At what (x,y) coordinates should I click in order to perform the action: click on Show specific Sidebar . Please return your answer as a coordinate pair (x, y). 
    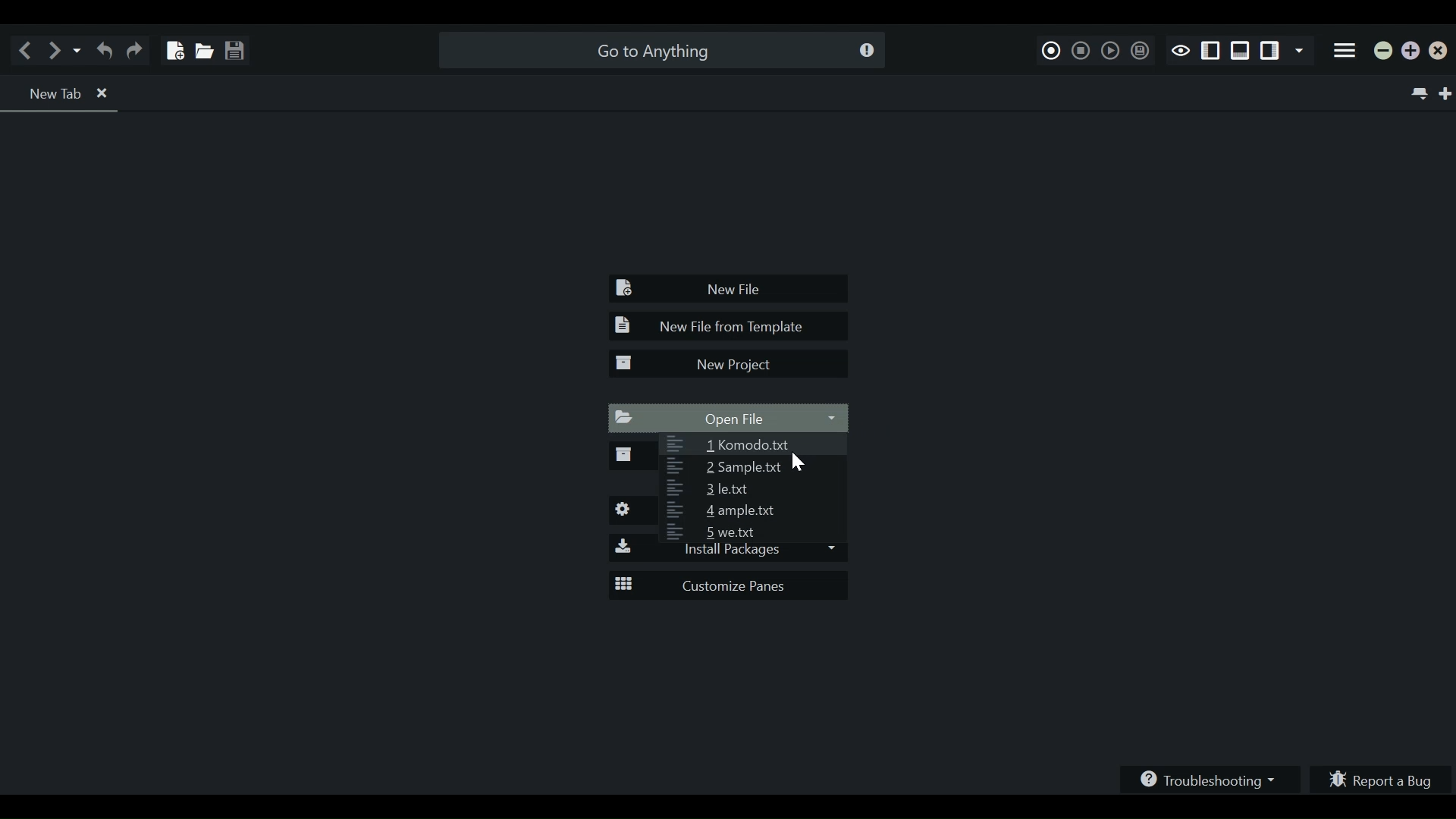
    Looking at the image, I should click on (1302, 52).